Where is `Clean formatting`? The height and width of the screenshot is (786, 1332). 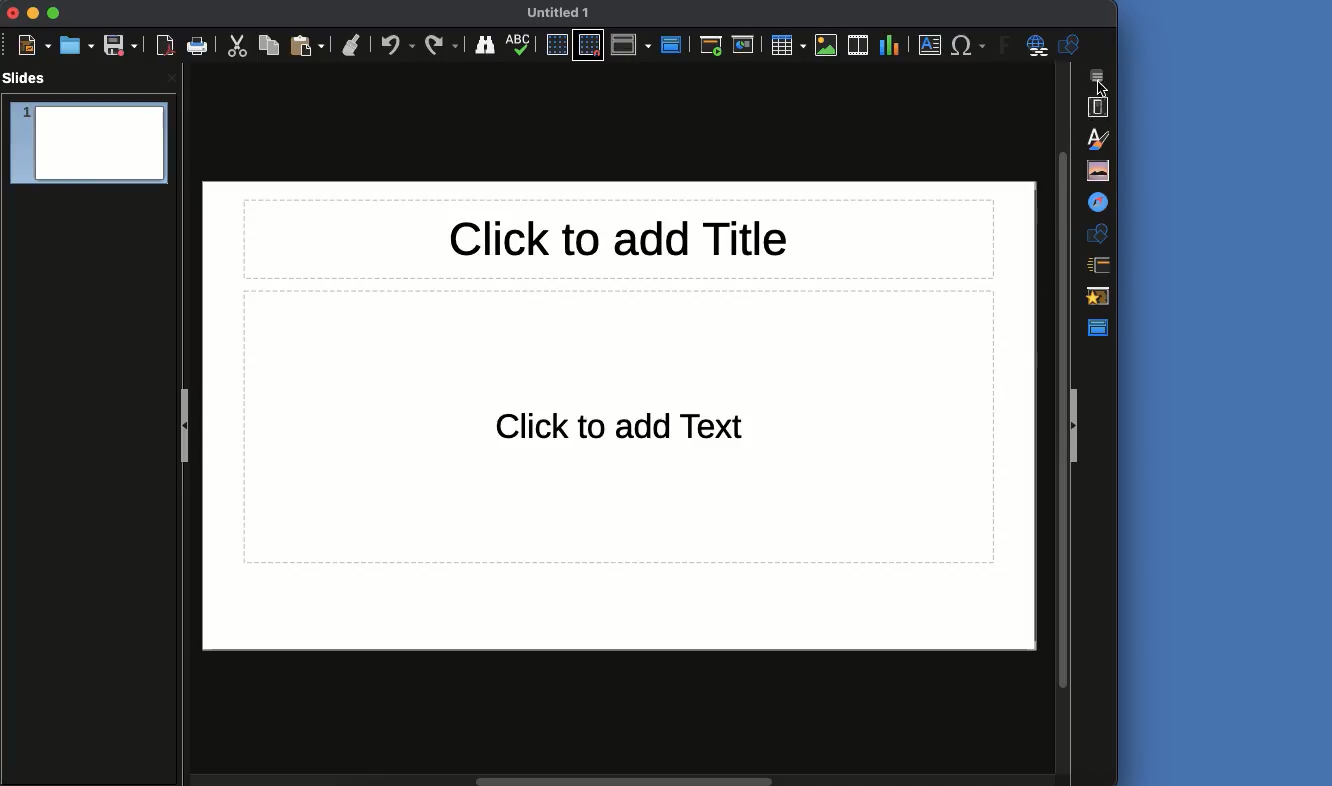
Clean formatting is located at coordinates (354, 44).